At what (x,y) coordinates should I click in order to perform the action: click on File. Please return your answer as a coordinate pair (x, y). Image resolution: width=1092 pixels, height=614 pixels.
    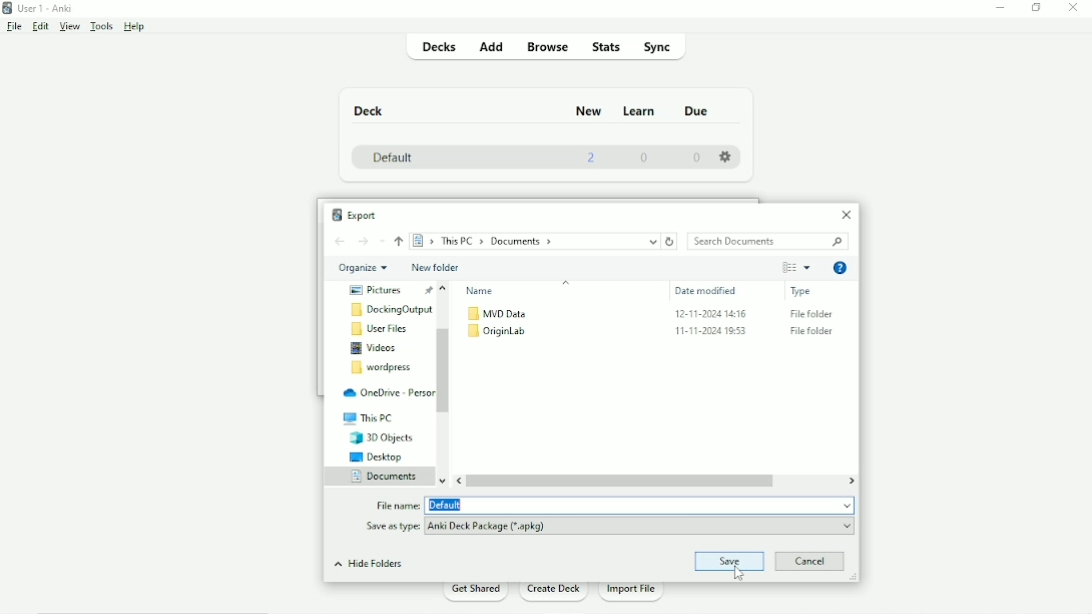
    Looking at the image, I should click on (14, 27).